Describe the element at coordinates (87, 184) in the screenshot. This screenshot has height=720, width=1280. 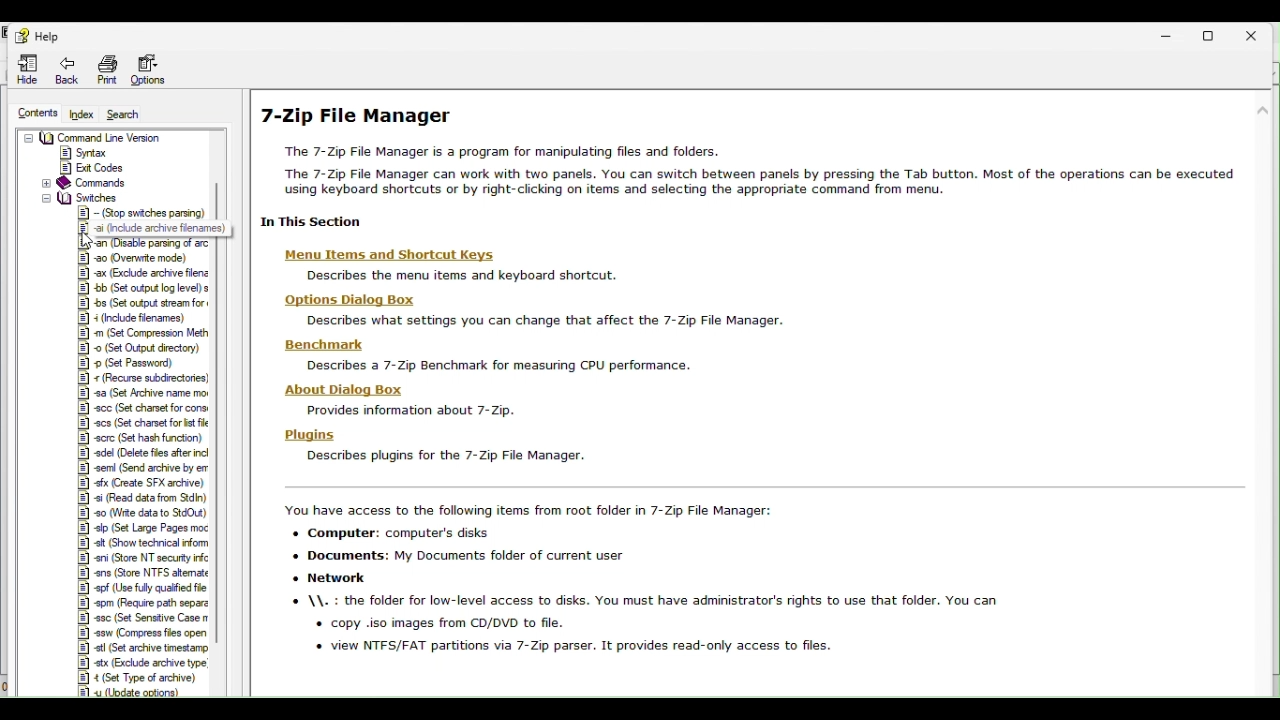
I see `Commands` at that location.